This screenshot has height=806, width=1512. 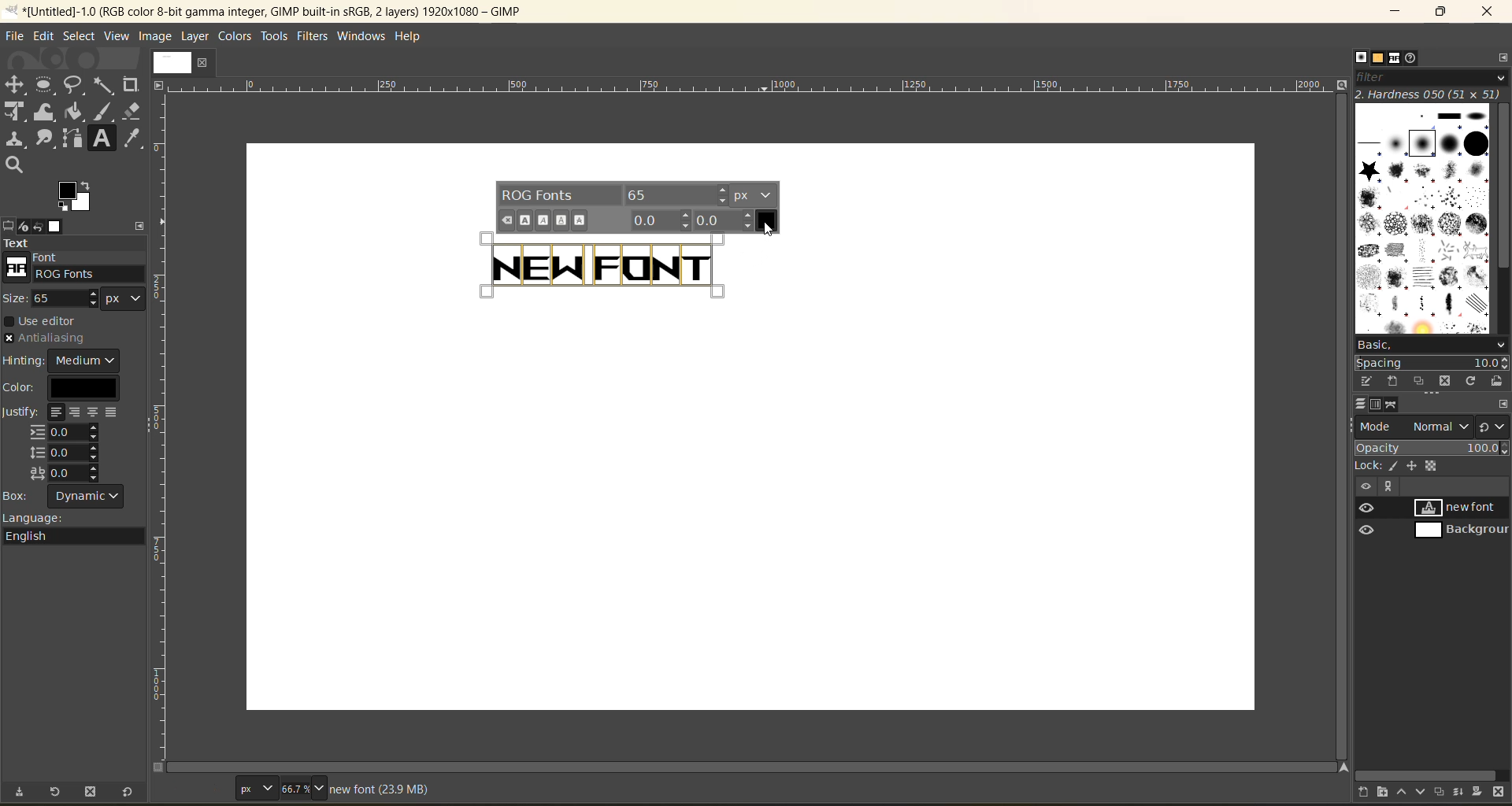 I want to click on font settings, so click(x=636, y=207).